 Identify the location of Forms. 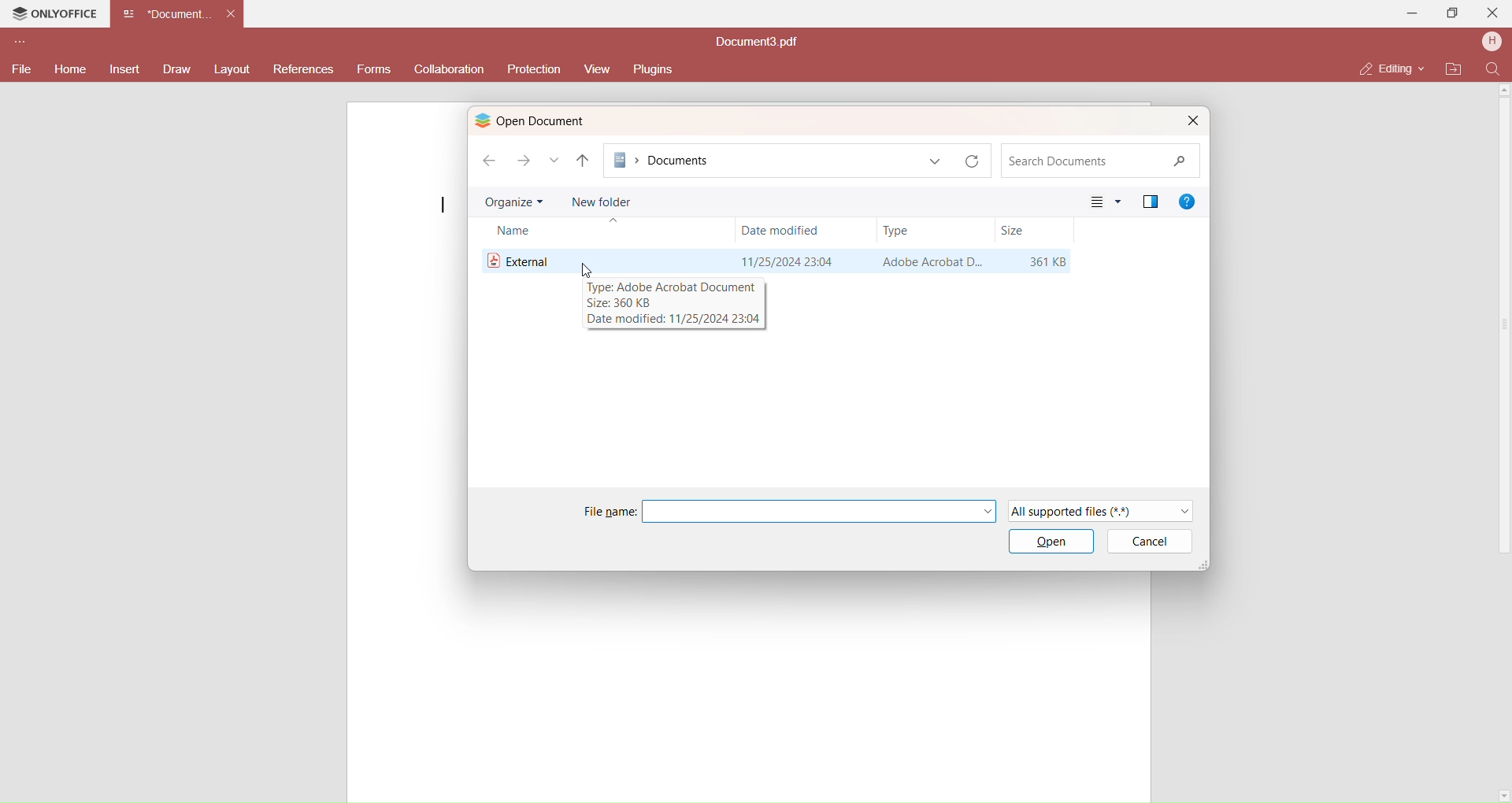
(374, 71).